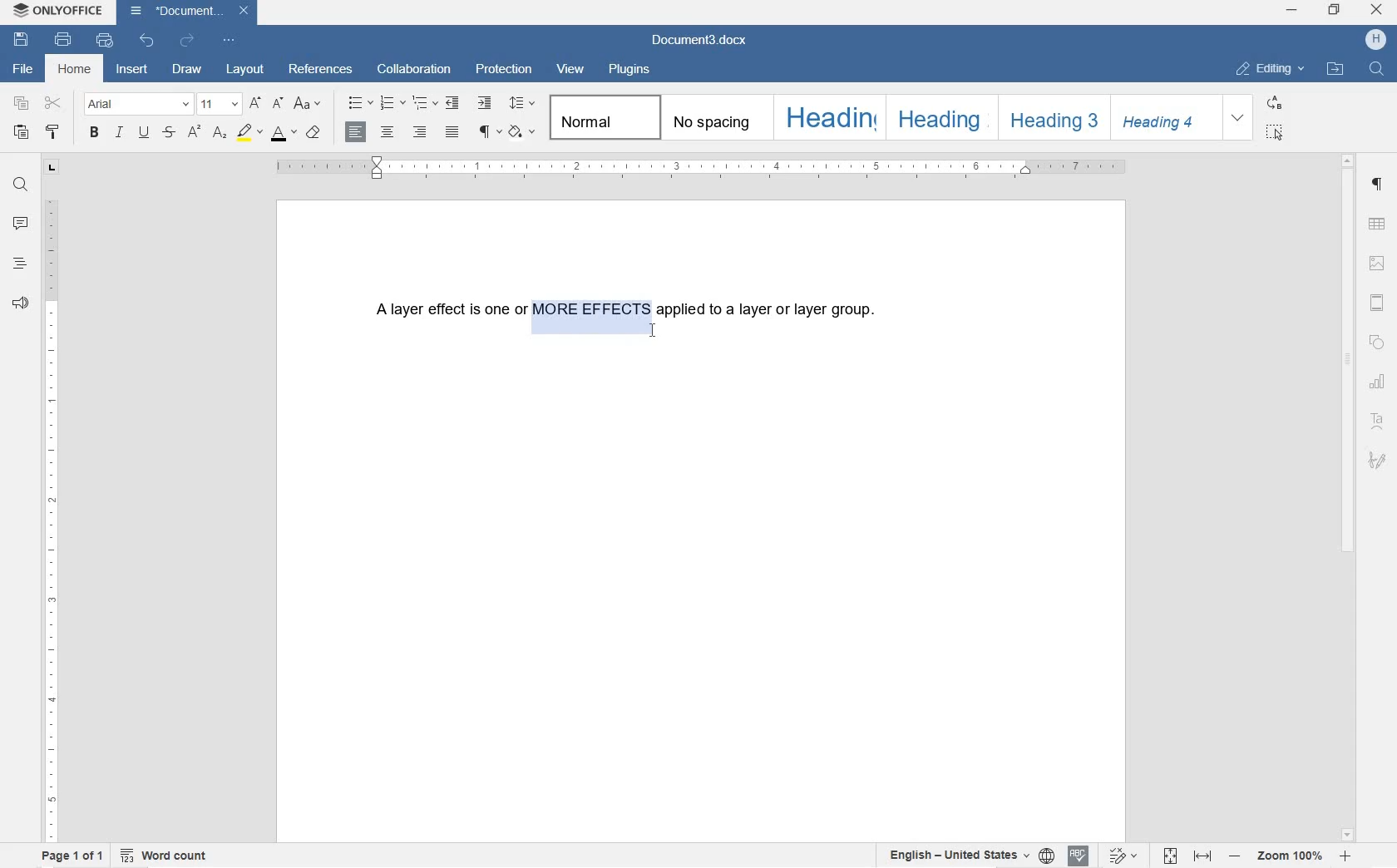 Image resolution: width=1397 pixels, height=868 pixels. I want to click on FIT TO PAGE/WIDTH, so click(1191, 857).